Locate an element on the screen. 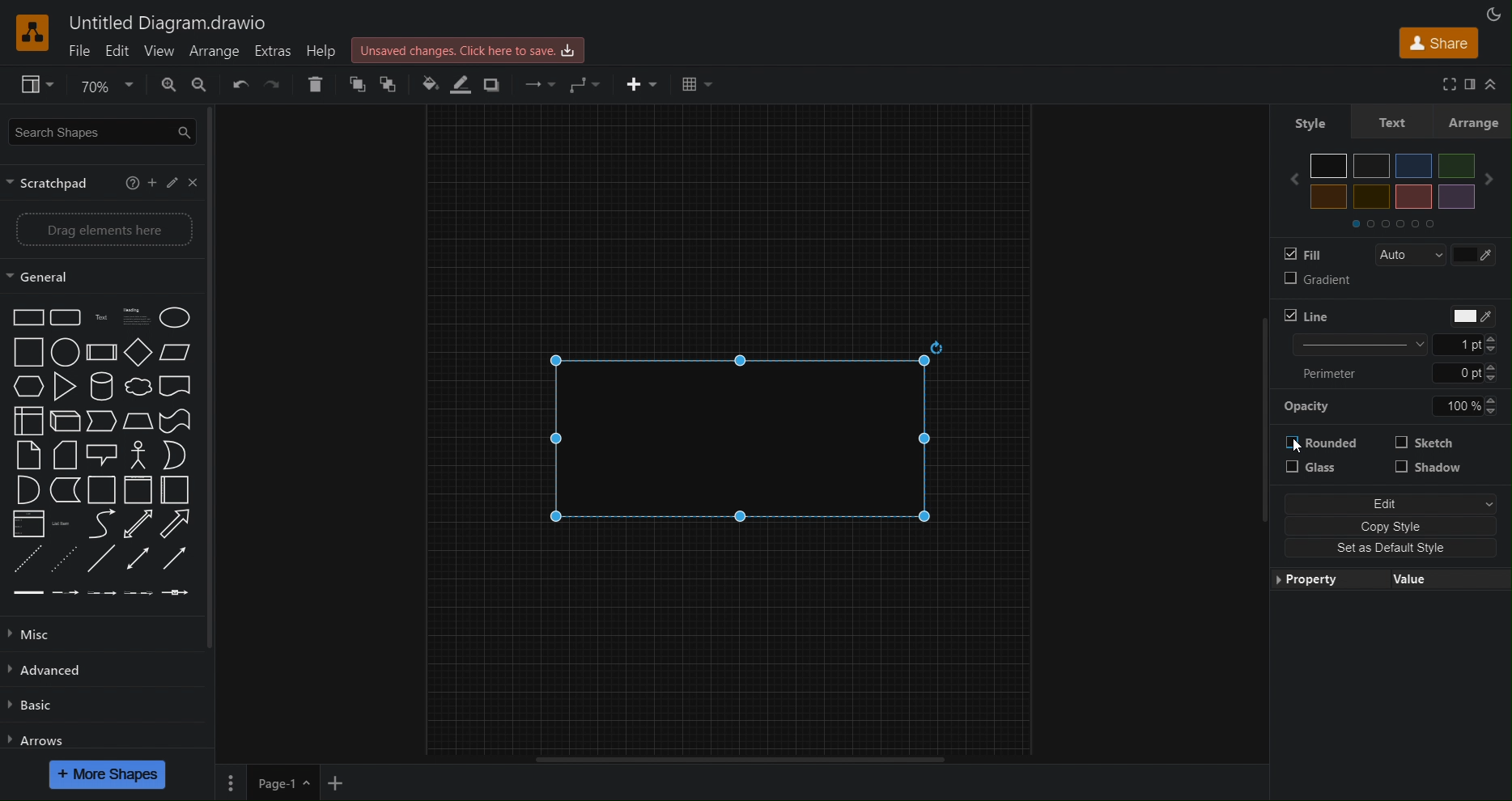 This screenshot has width=1512, height=801. More Shapes is located at coordinates (108, 774).